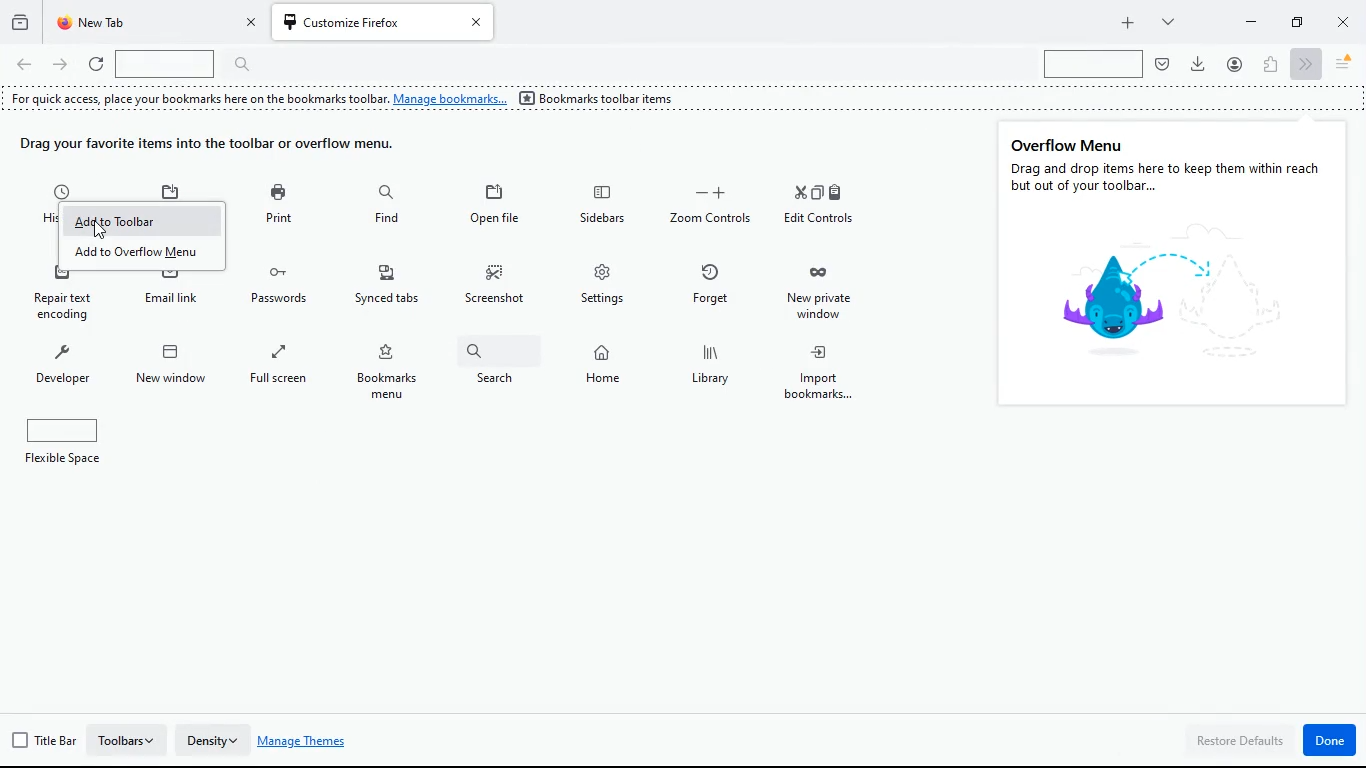 The height and width of the screenshot is (768, 1366). What do you see at coordinates (222, 146) in the screenshot?
I see `drag items` at bounding box center [222, 146].